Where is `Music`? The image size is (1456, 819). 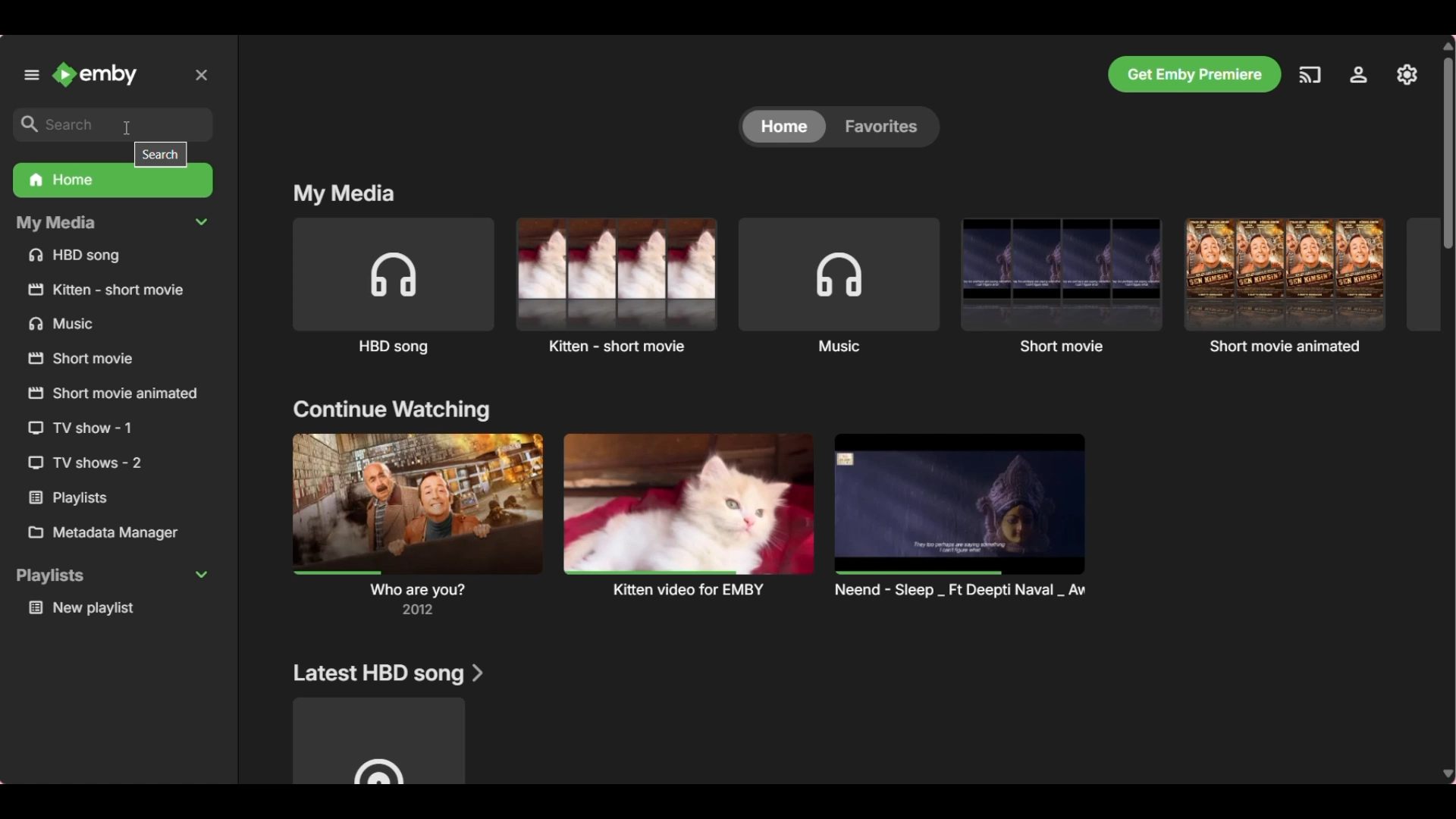 Music is located at coordinates (839, 286).